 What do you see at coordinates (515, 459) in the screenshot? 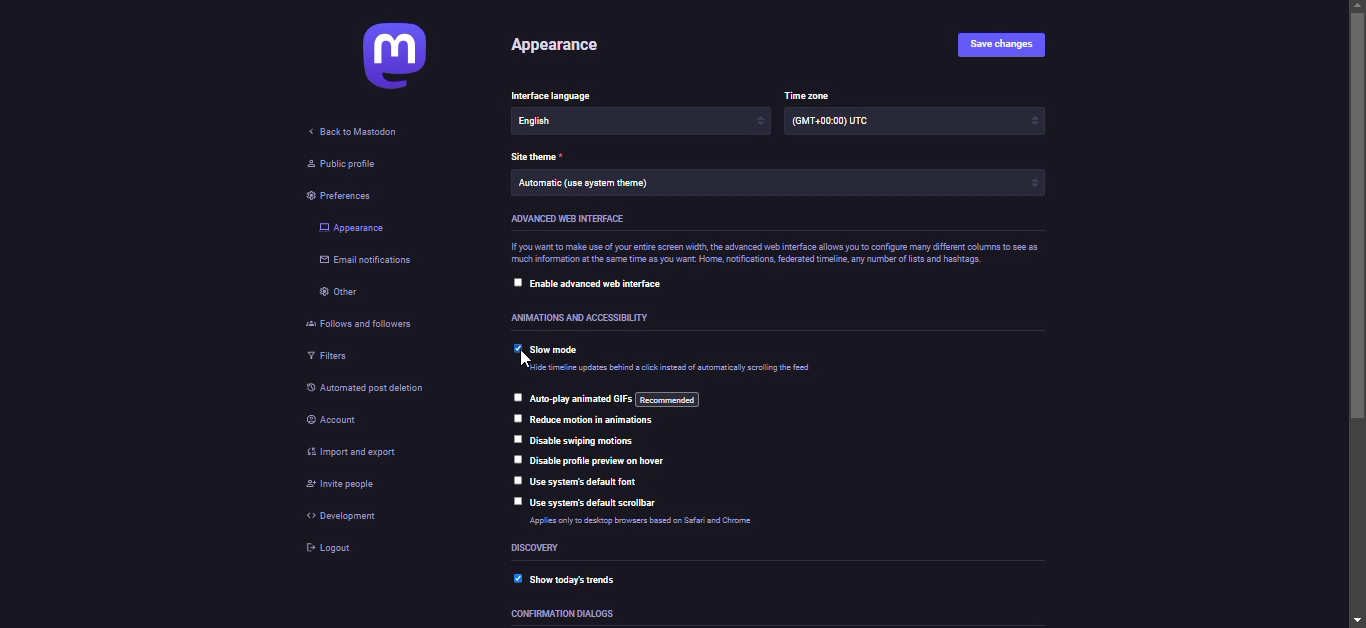
I see `click to select` at bounding box center [515, 459].